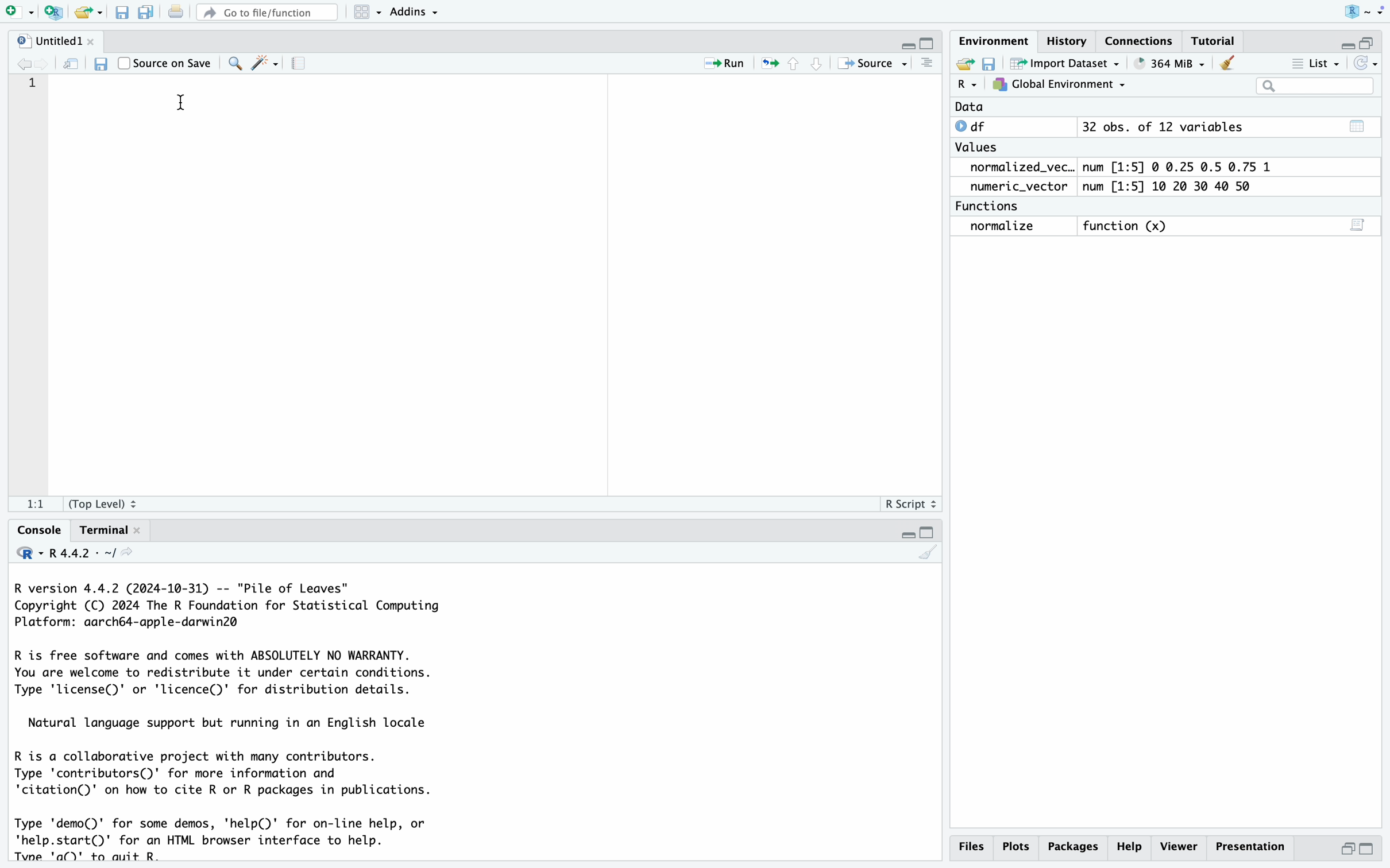 Image resolution: width=1390 pixels, height=868 pixels. I want to click on 1:1, so click(34, 506).